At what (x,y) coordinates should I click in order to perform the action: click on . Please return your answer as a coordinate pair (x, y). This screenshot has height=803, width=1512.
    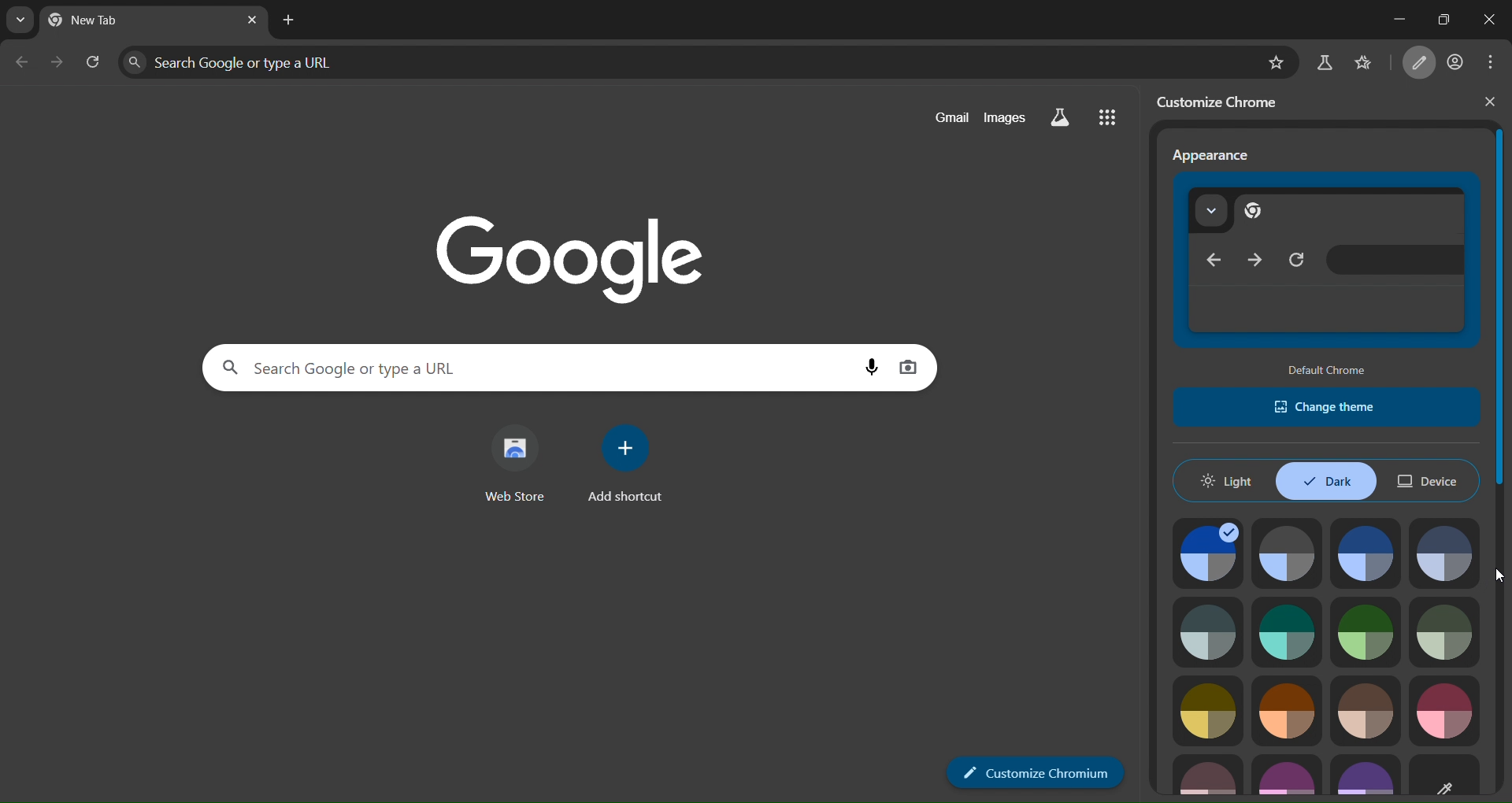
    Looking at the image, I should click on (1493, 359).